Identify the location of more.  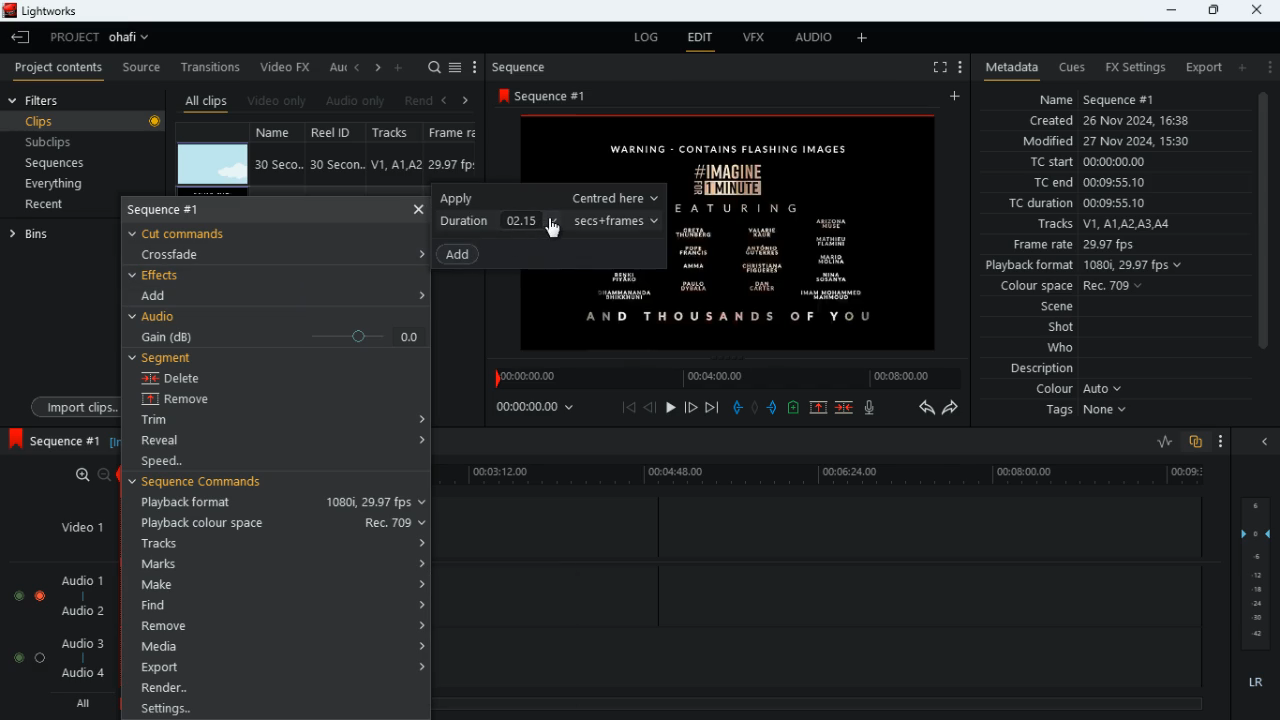
(958, 66).